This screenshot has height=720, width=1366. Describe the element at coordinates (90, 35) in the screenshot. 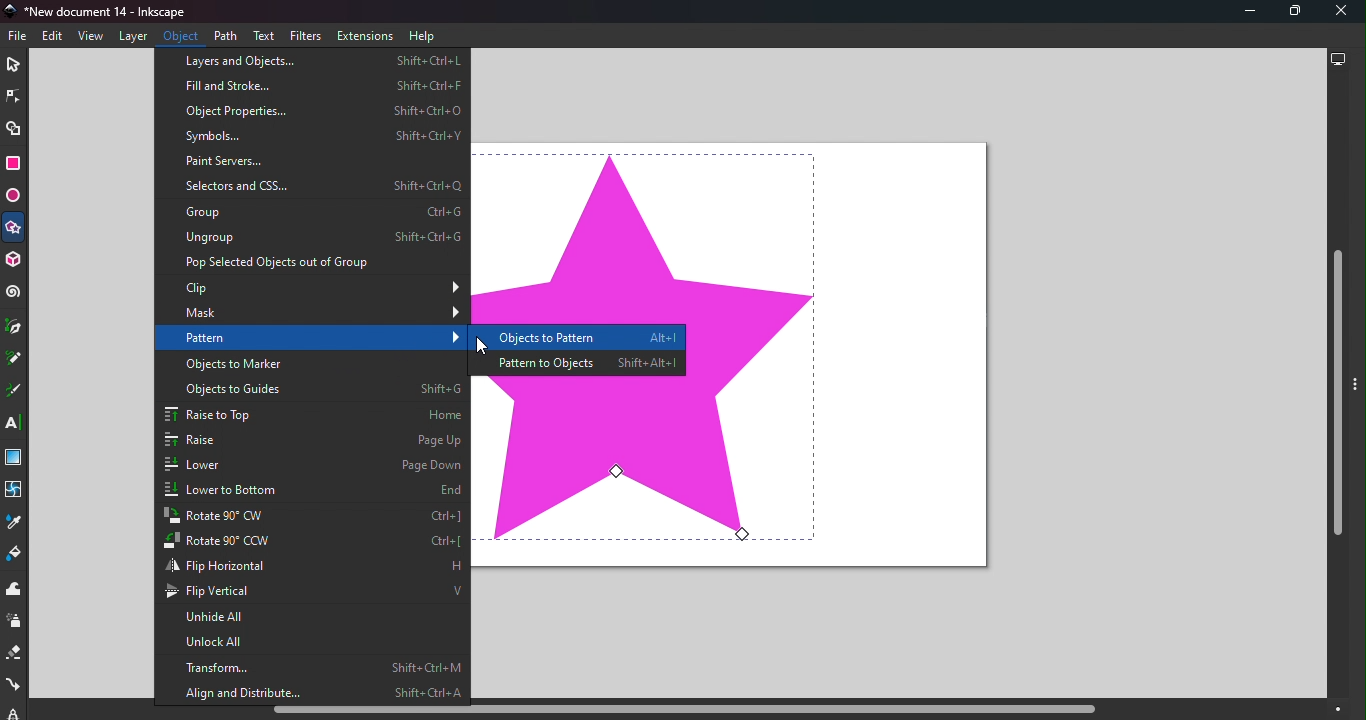

I see `View` at that location.